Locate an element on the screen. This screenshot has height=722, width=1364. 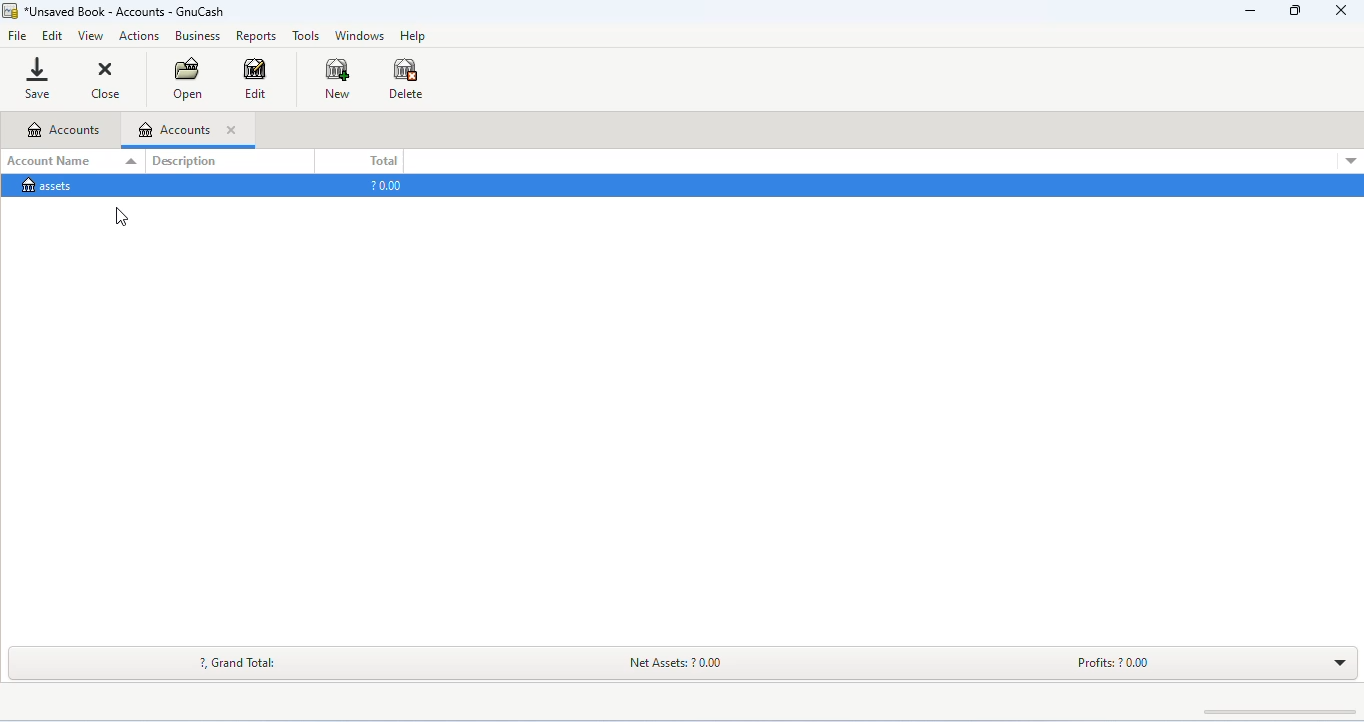
drop down is located at coordinates (131, 161).